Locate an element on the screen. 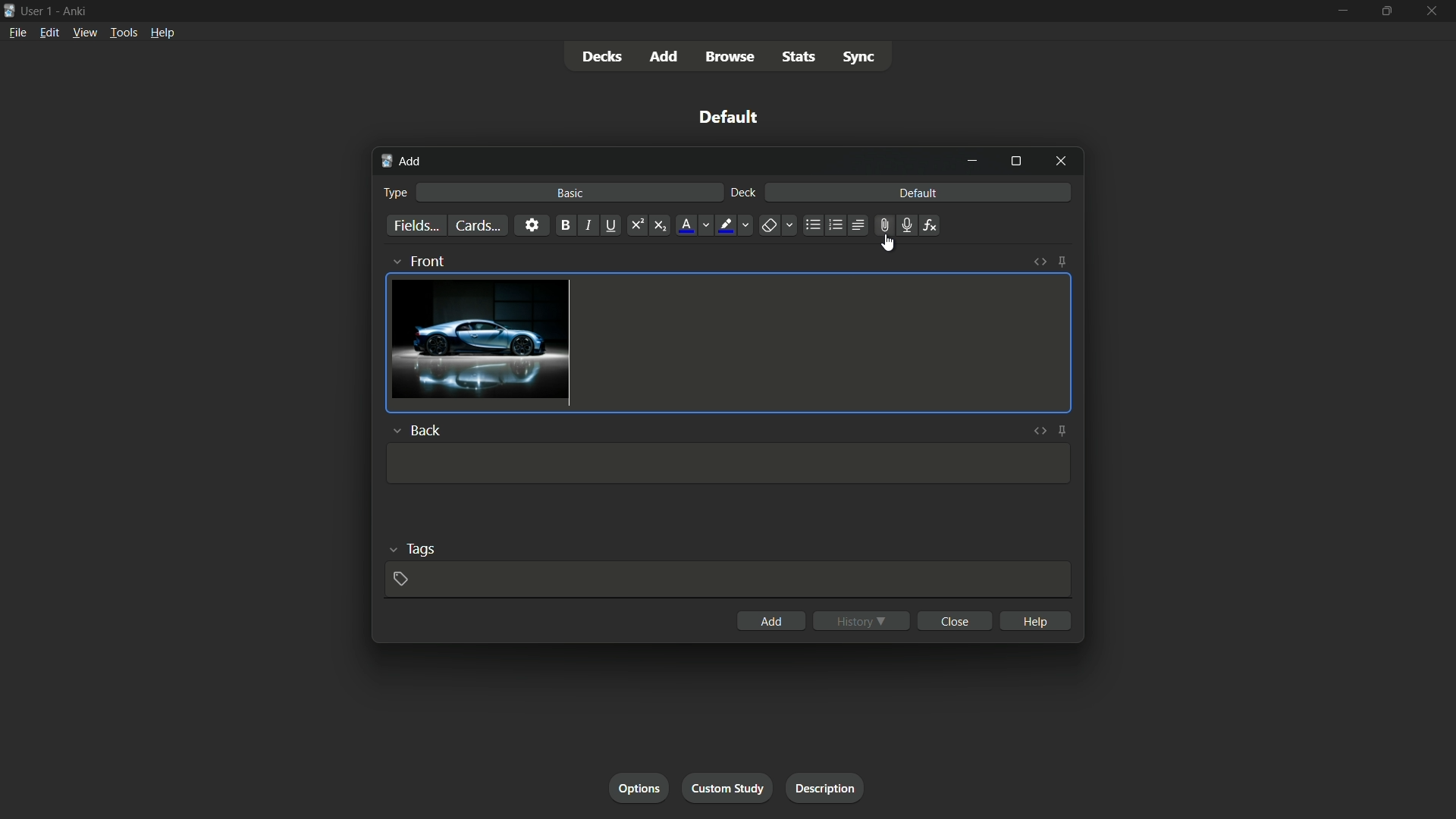 Image resolution: width=1456 pixels, height=819 pixels. browse is located at coordinates (729, 58).